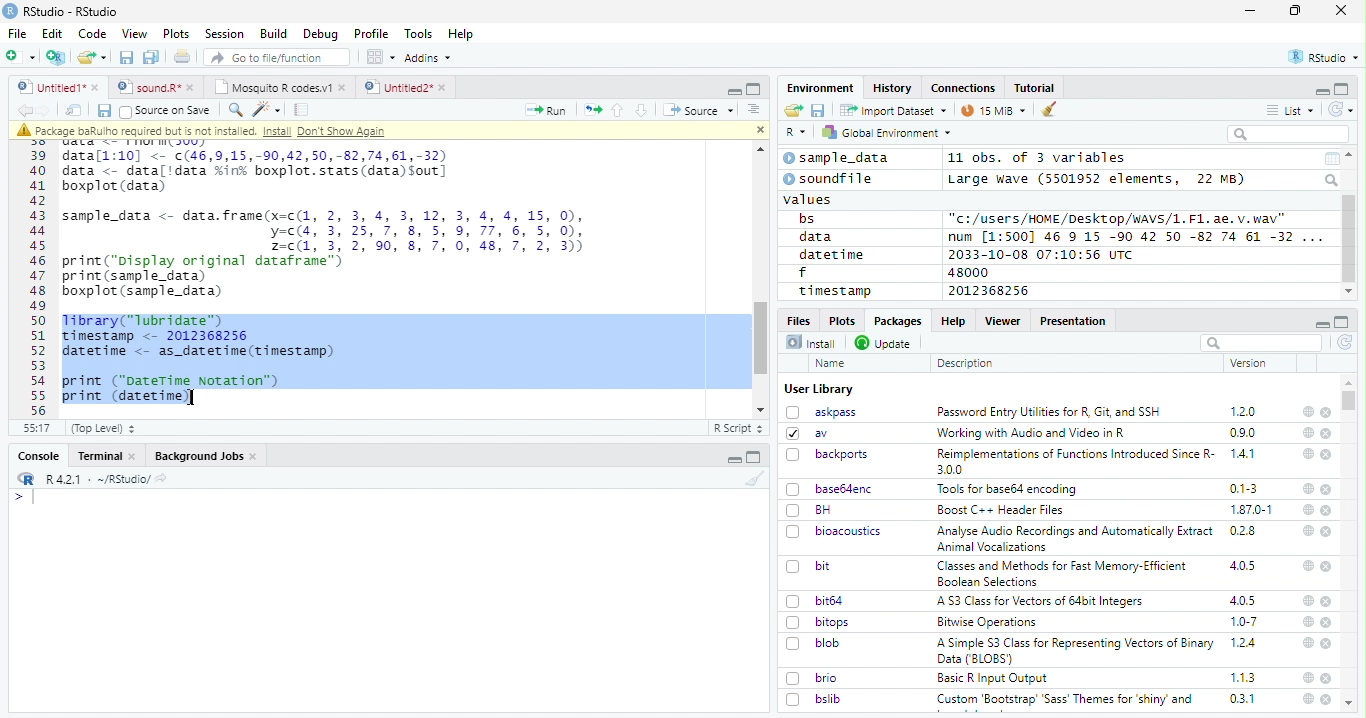 This screenshot has width=1366, height=718. I want to click on values, so click(809, 198).